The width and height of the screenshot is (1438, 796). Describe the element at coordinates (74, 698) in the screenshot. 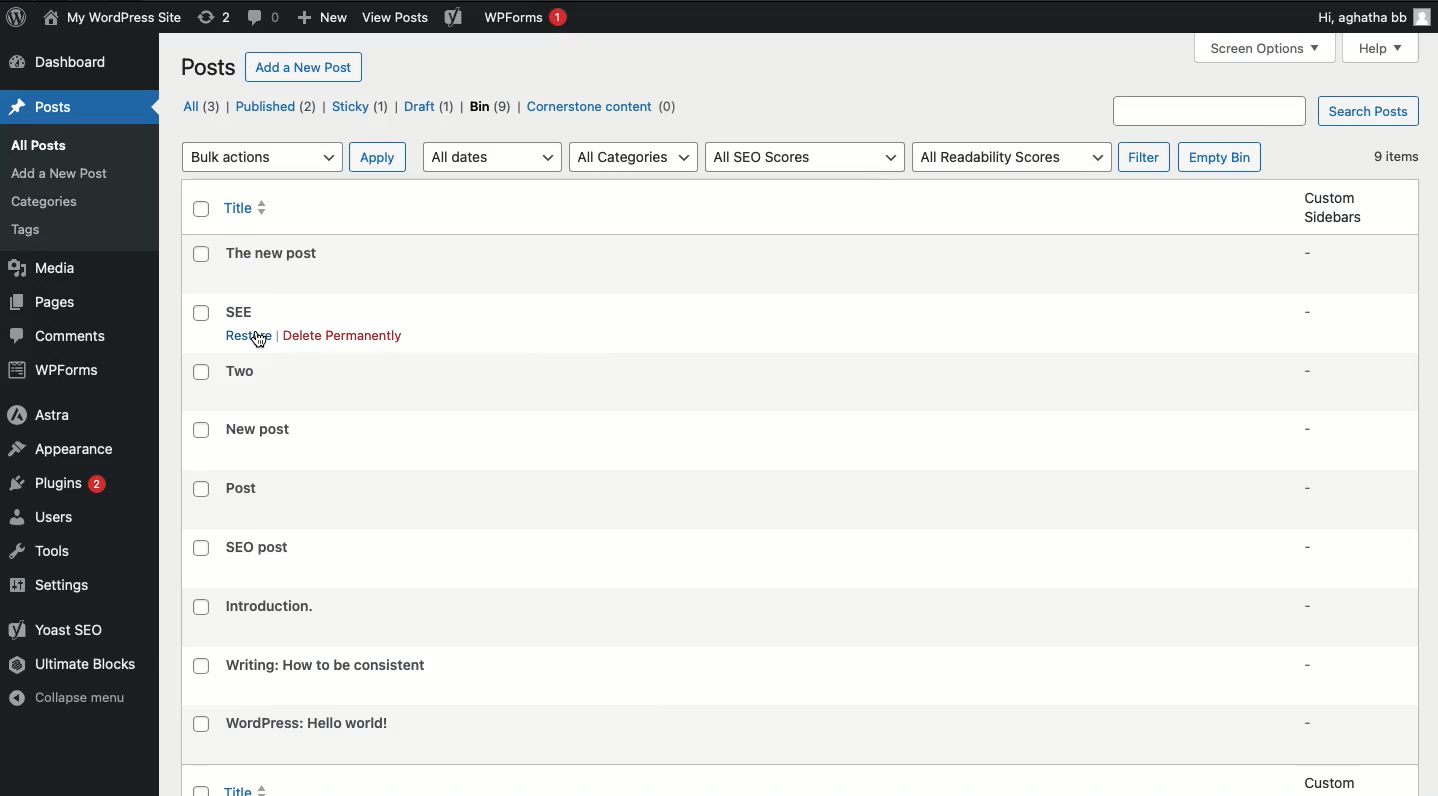

I see `Collapse menu` at that location.